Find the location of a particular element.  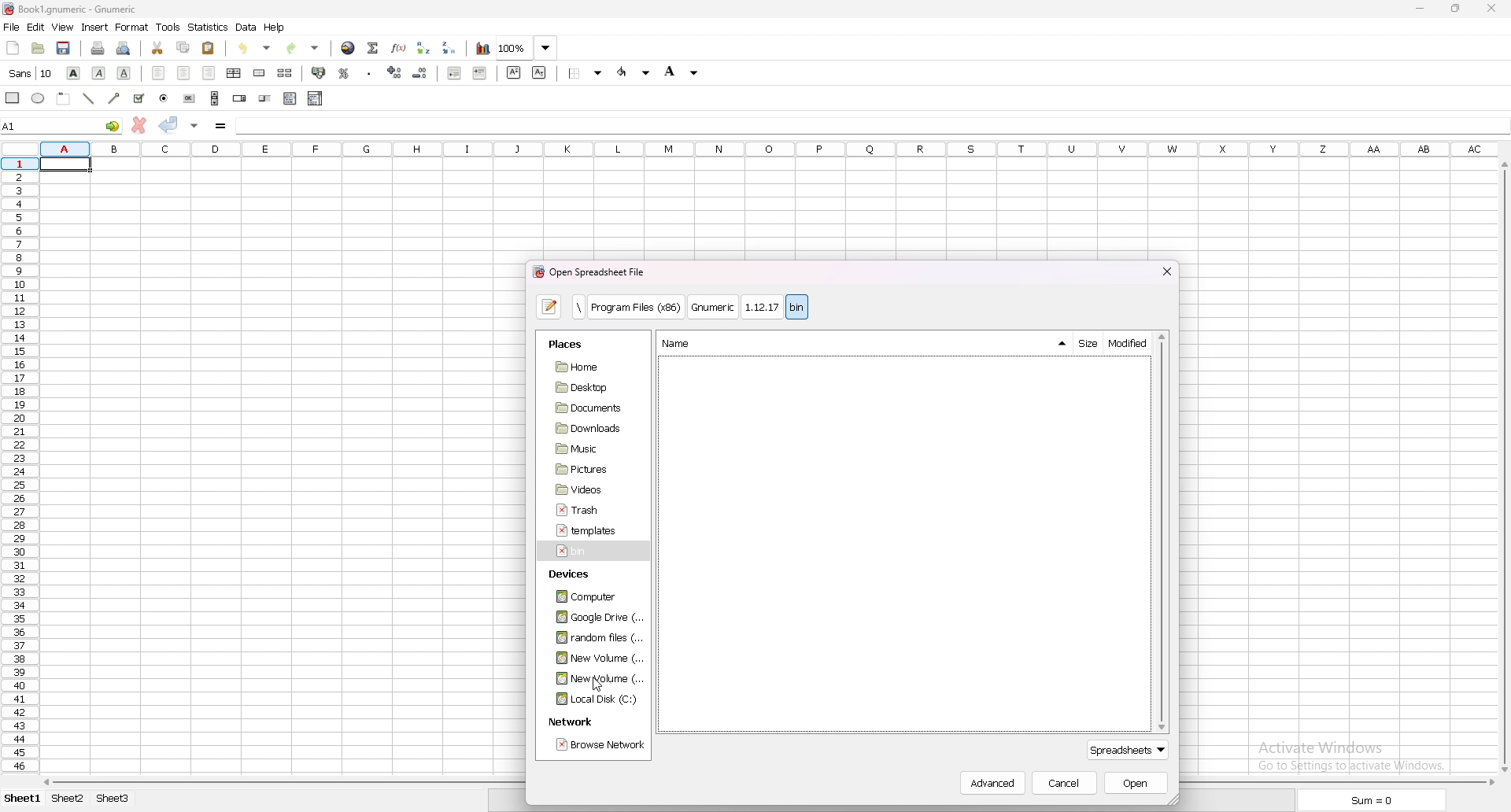

rows is located at coordinates (18, 467).